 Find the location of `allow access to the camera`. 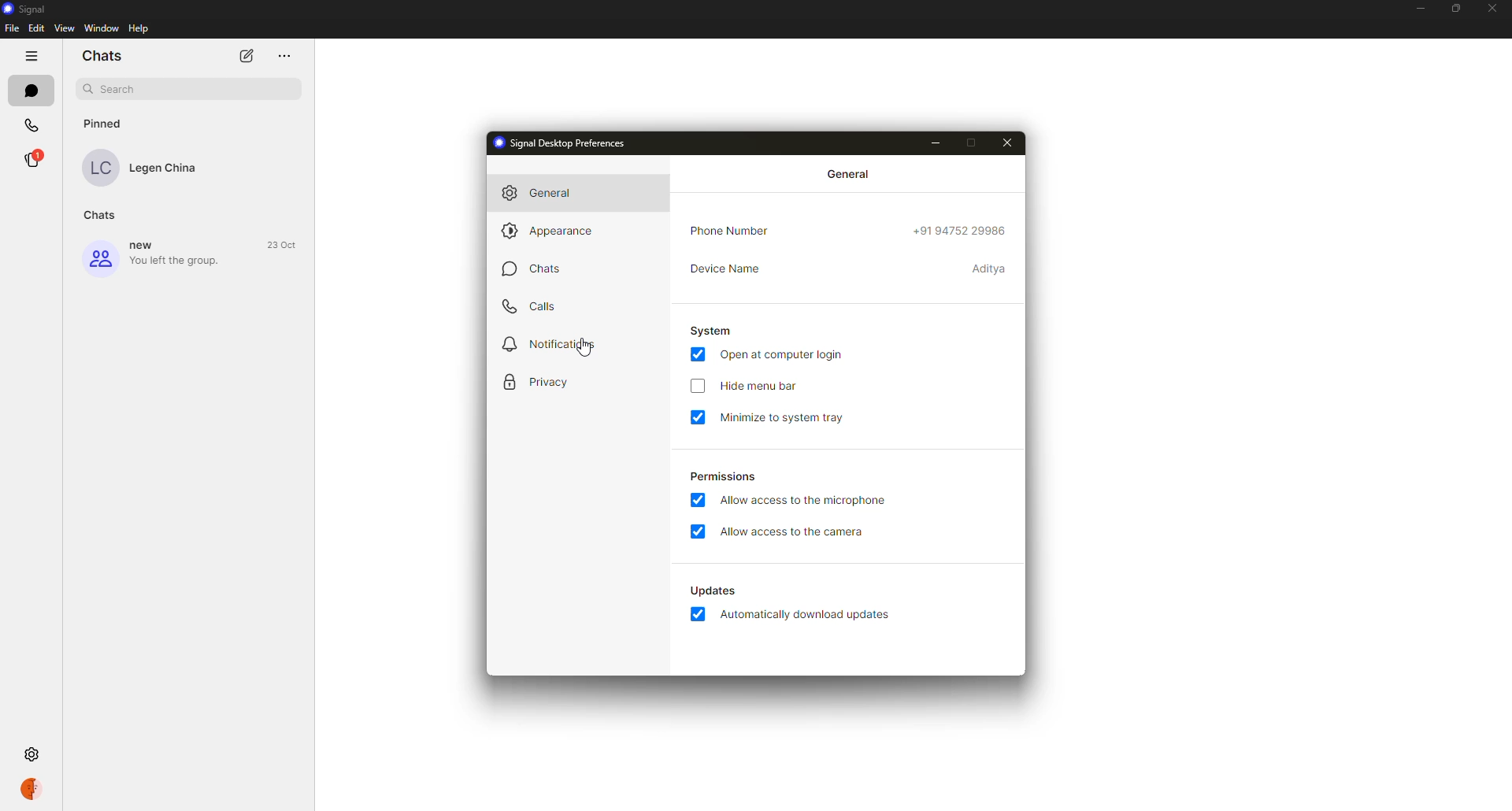

allow access to the camera is located at coordinates (790, 530).